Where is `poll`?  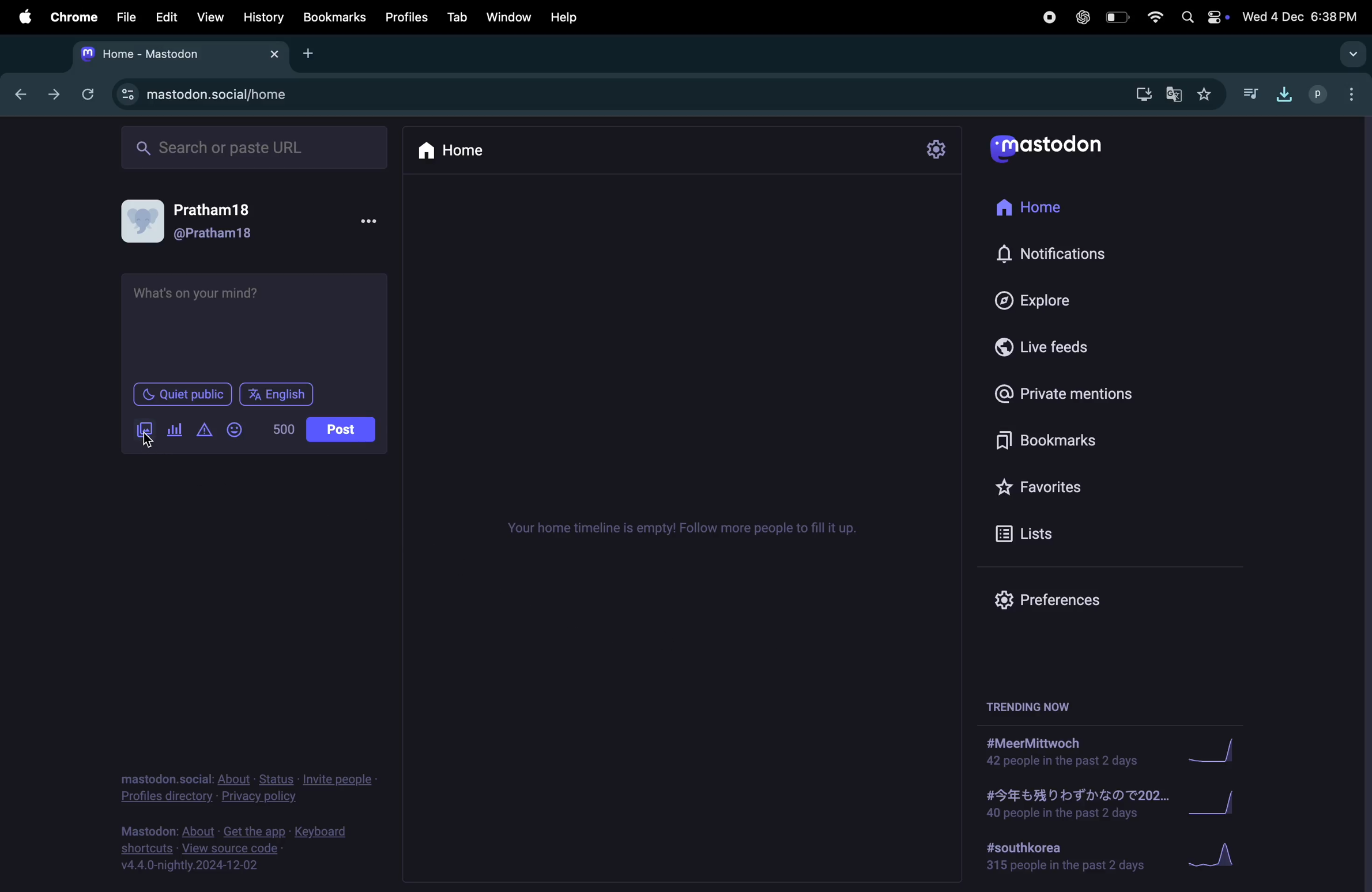 poll is located at coordinates (172, 430).